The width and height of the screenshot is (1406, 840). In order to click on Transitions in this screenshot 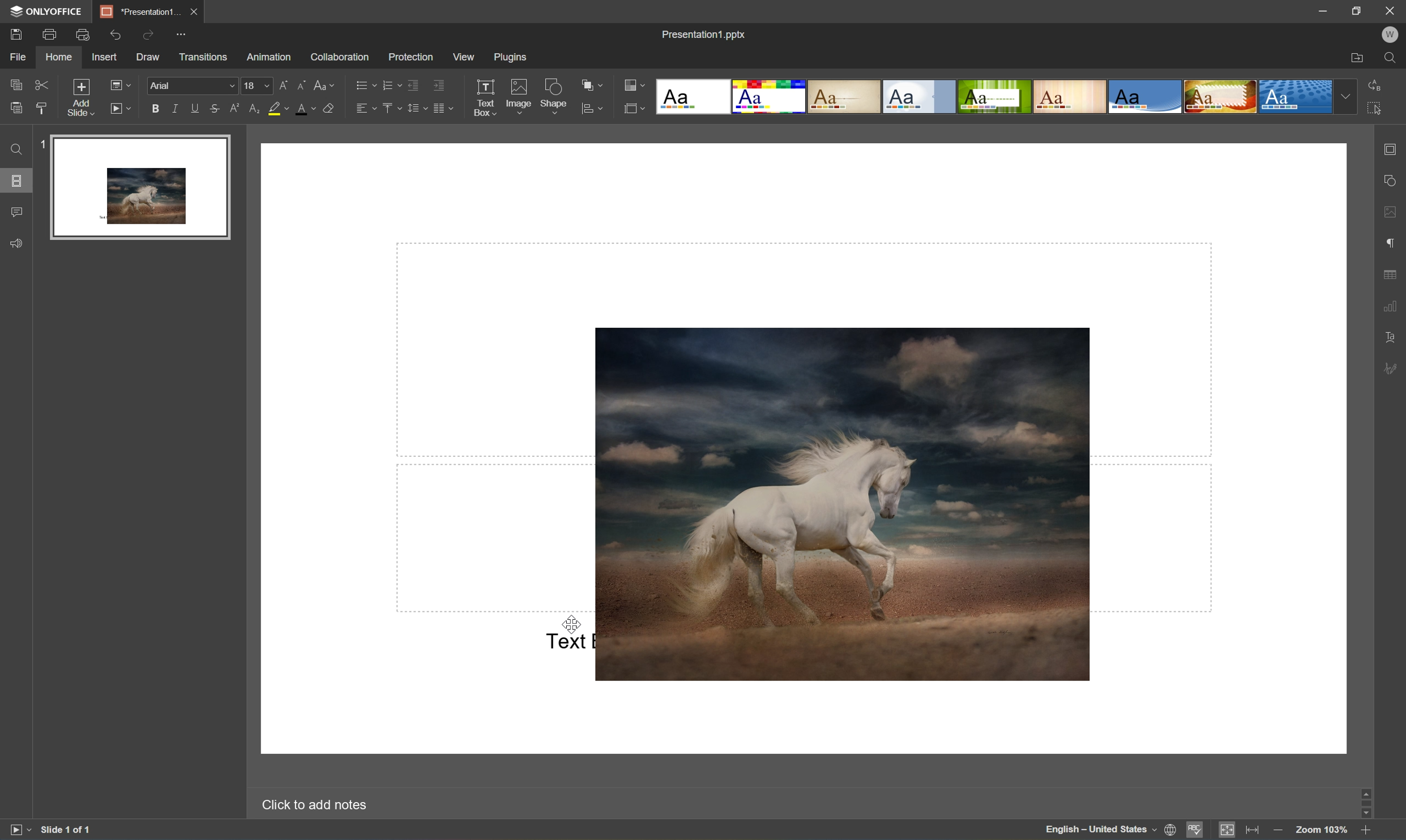, I will do `click(203, 57)`.